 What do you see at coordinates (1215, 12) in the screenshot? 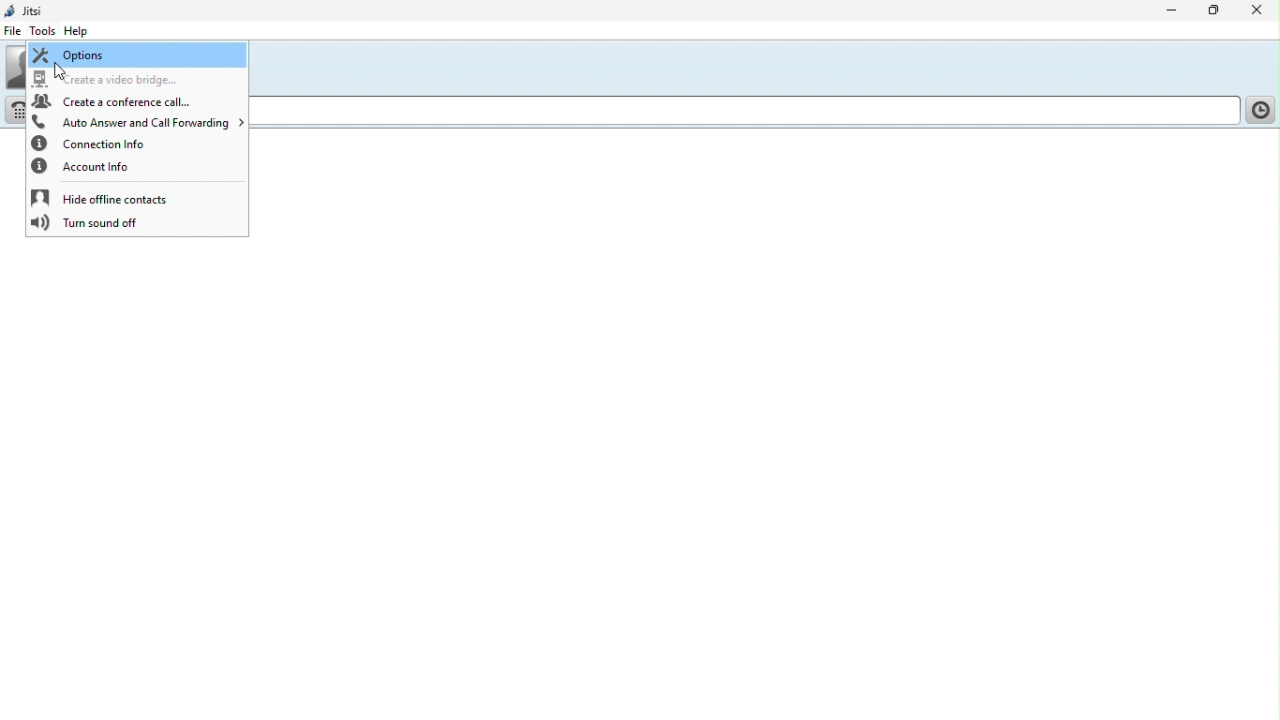
I see `Restore` at bounding box center [1215, 12].